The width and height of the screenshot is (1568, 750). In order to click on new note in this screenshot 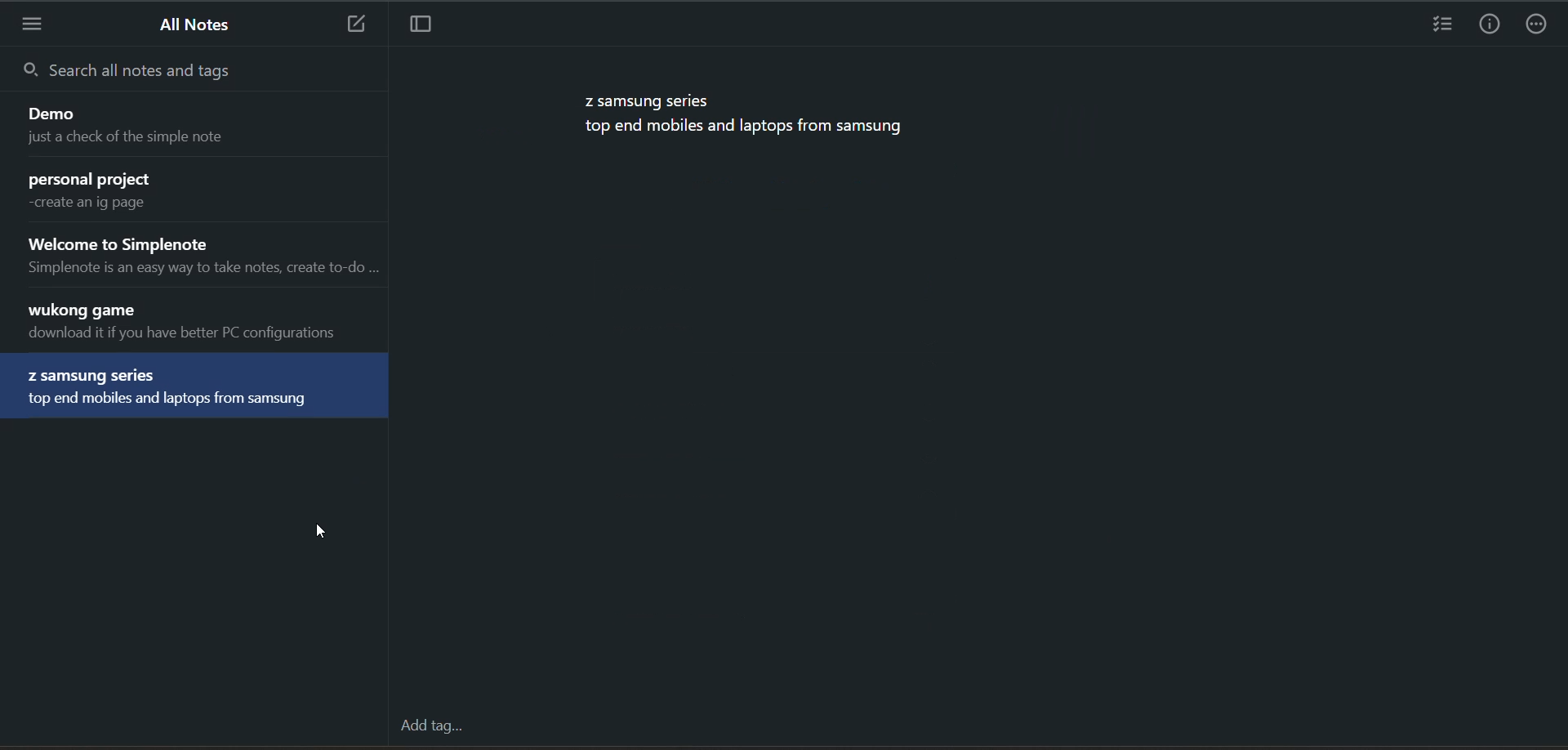, I will do `click(353, 24)`.